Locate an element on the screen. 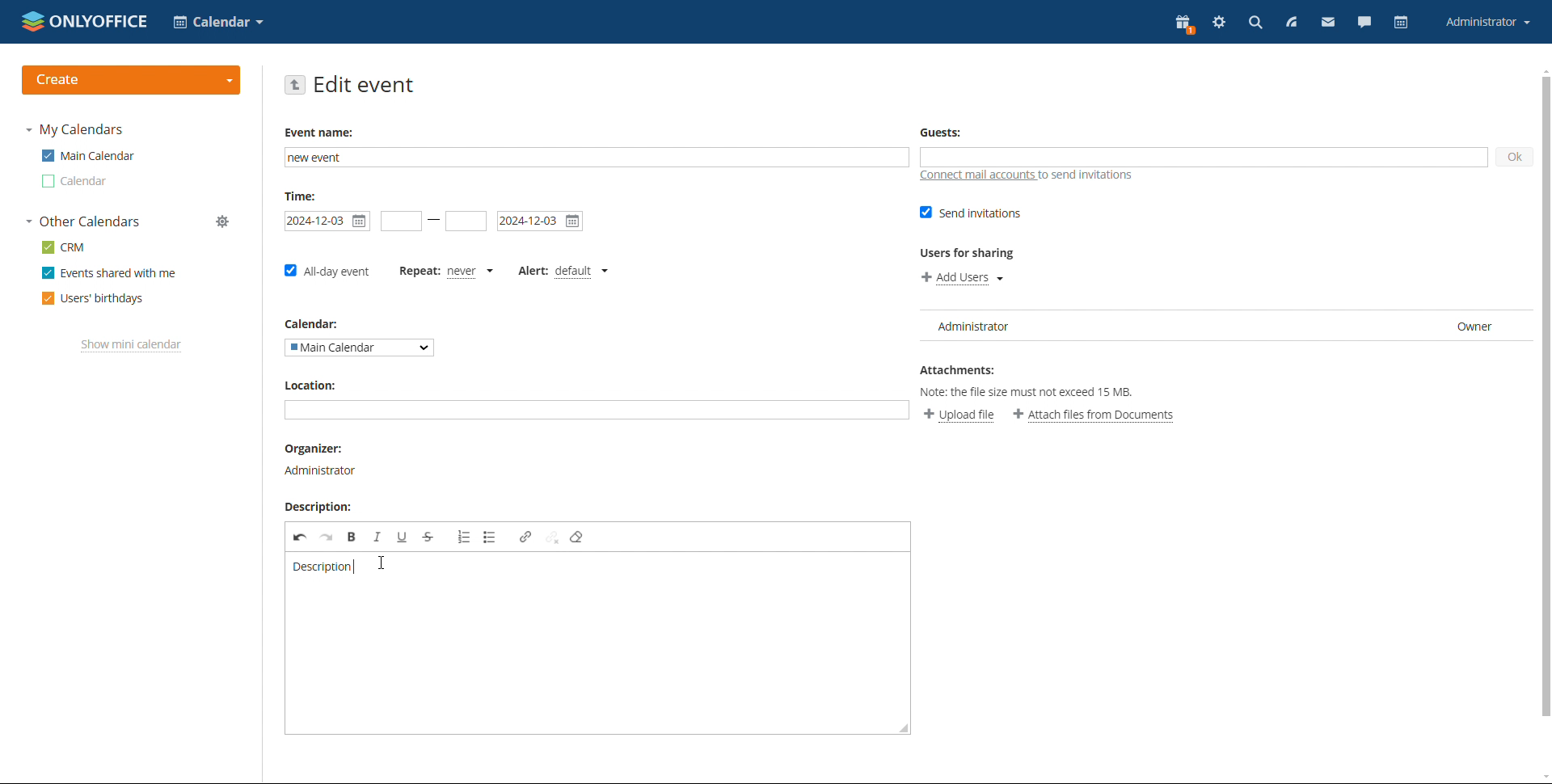 This screenshot has width=1552, height=784. select calendar is located at coordinates (360, 347).